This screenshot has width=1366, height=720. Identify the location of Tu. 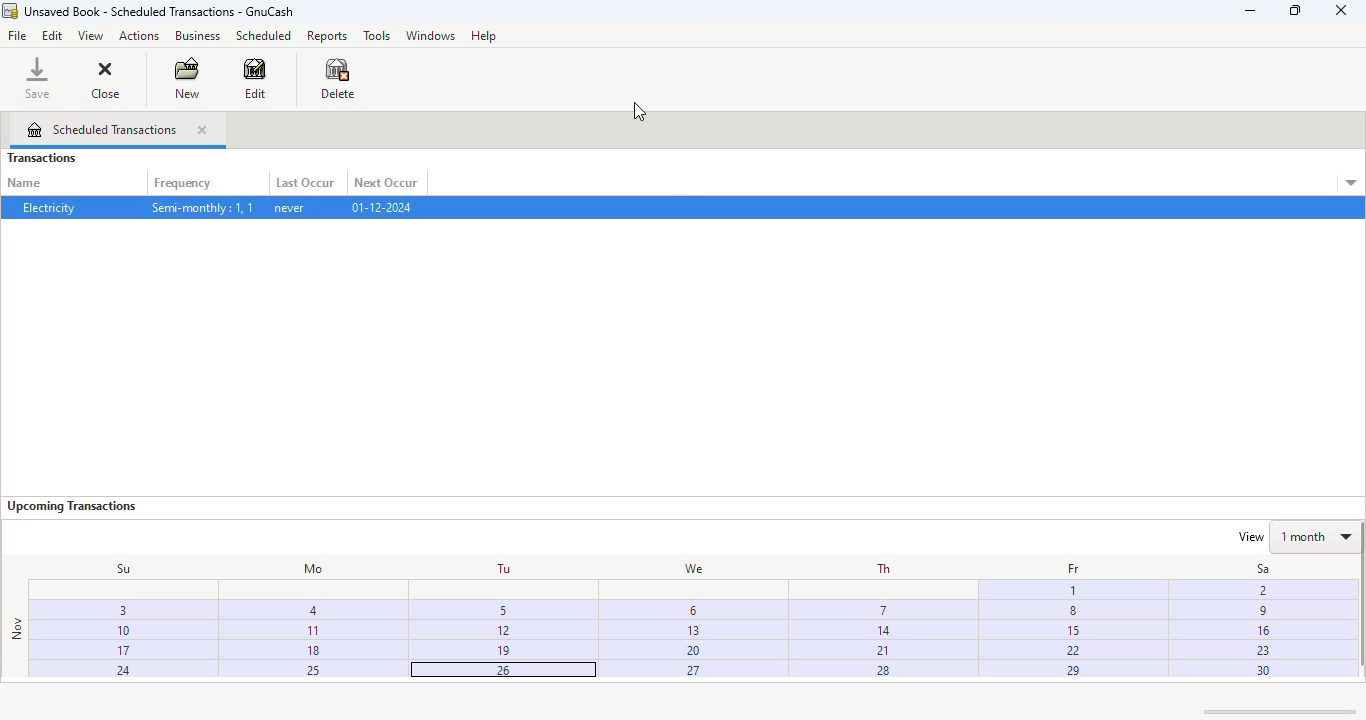
(501, 568).